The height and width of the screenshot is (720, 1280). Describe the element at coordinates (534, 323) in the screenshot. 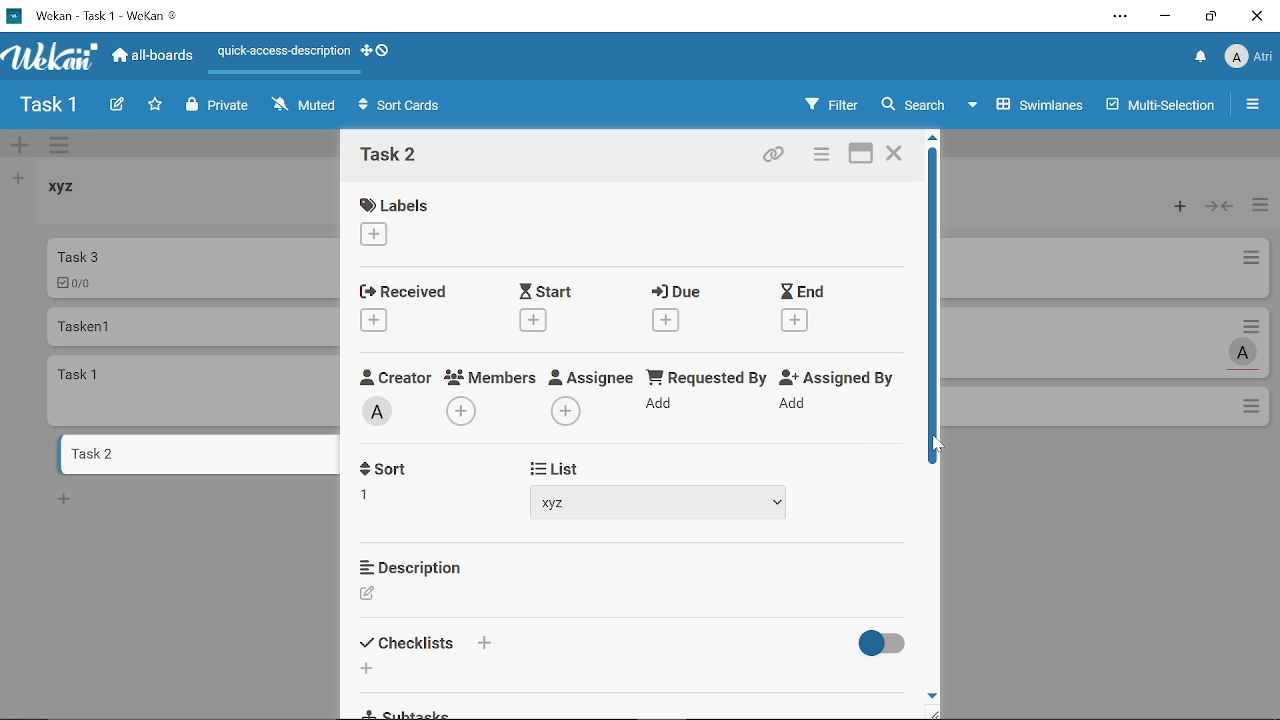

I see `Add start date` at that location.